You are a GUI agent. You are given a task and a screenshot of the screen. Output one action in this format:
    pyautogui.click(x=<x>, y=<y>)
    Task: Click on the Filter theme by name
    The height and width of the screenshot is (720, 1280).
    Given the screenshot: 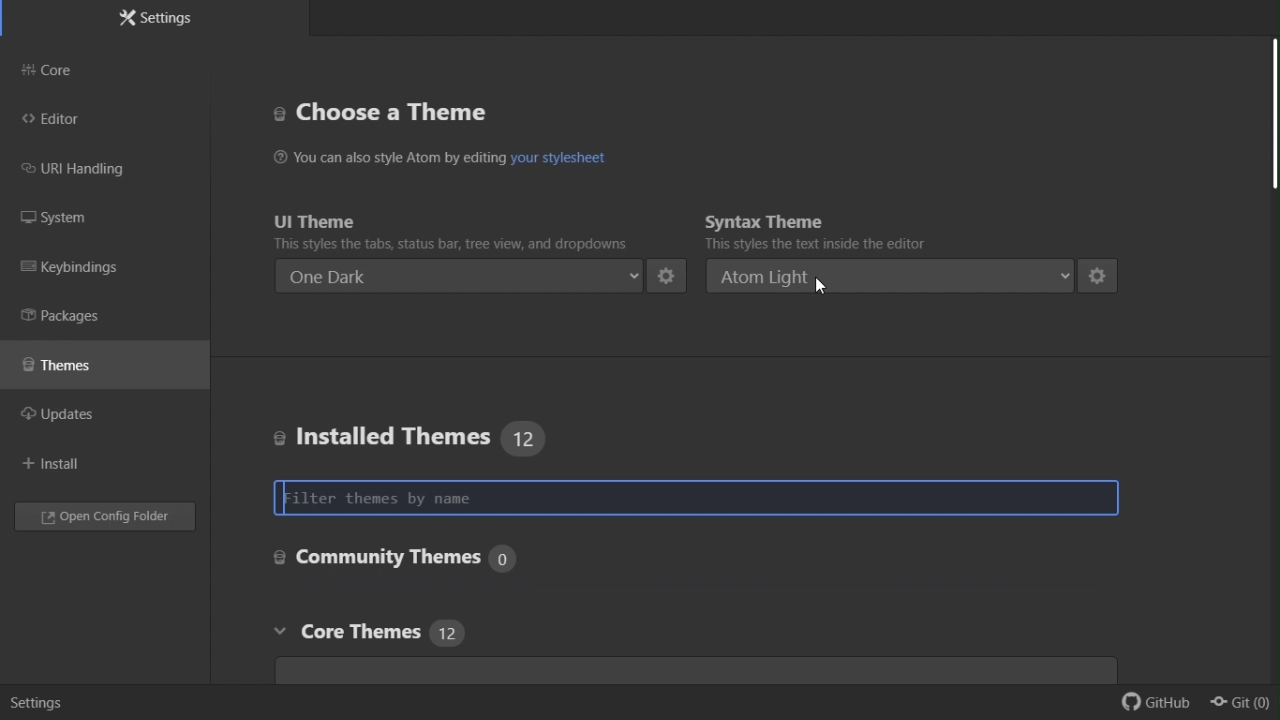 What is the action you would take?
    pyautogui.click(x=695, y=498)
    